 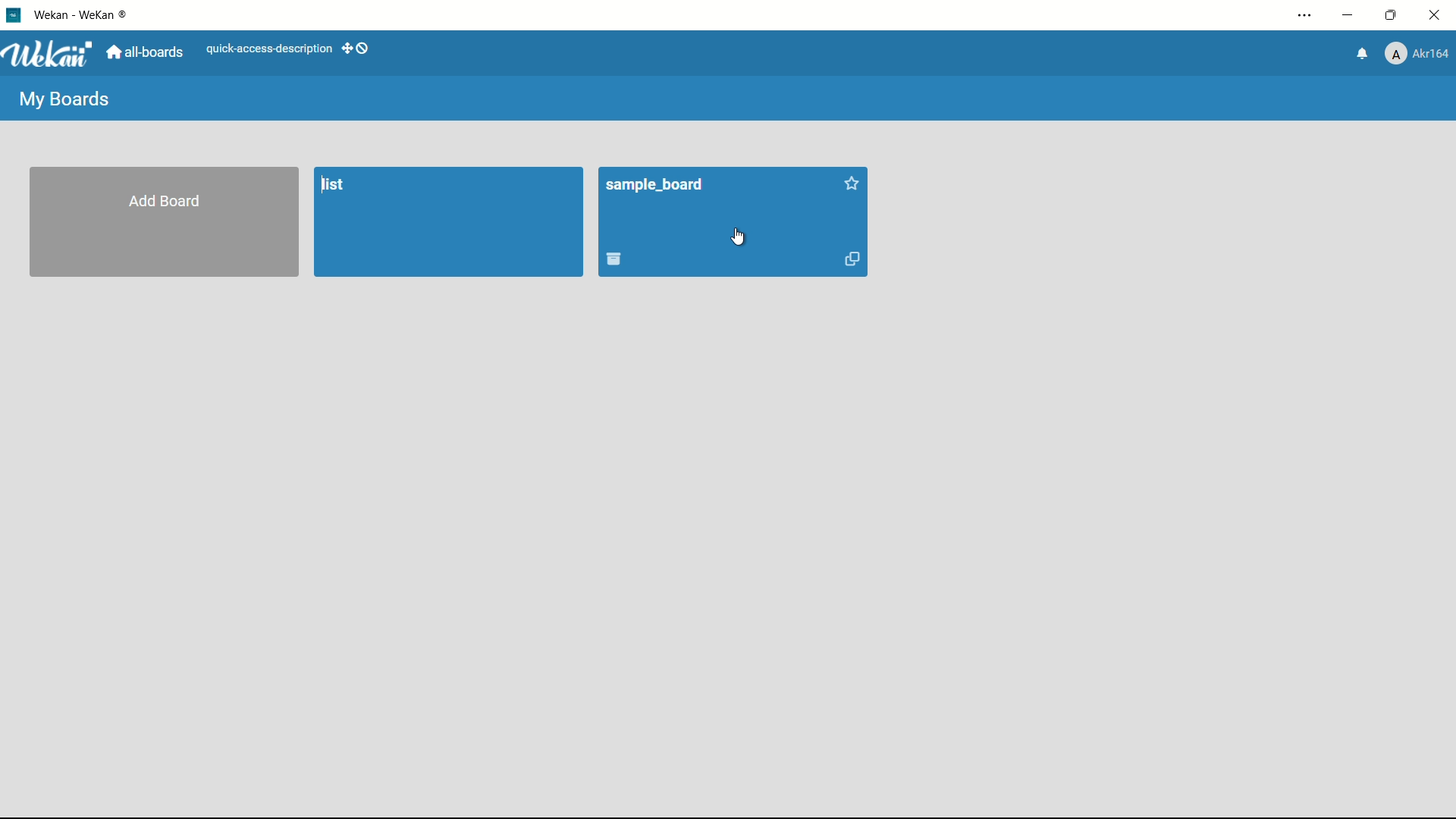 What do you see at coordinates (616, 259) in the screenshot?
I see `archive` at bounding box center [616, 259].